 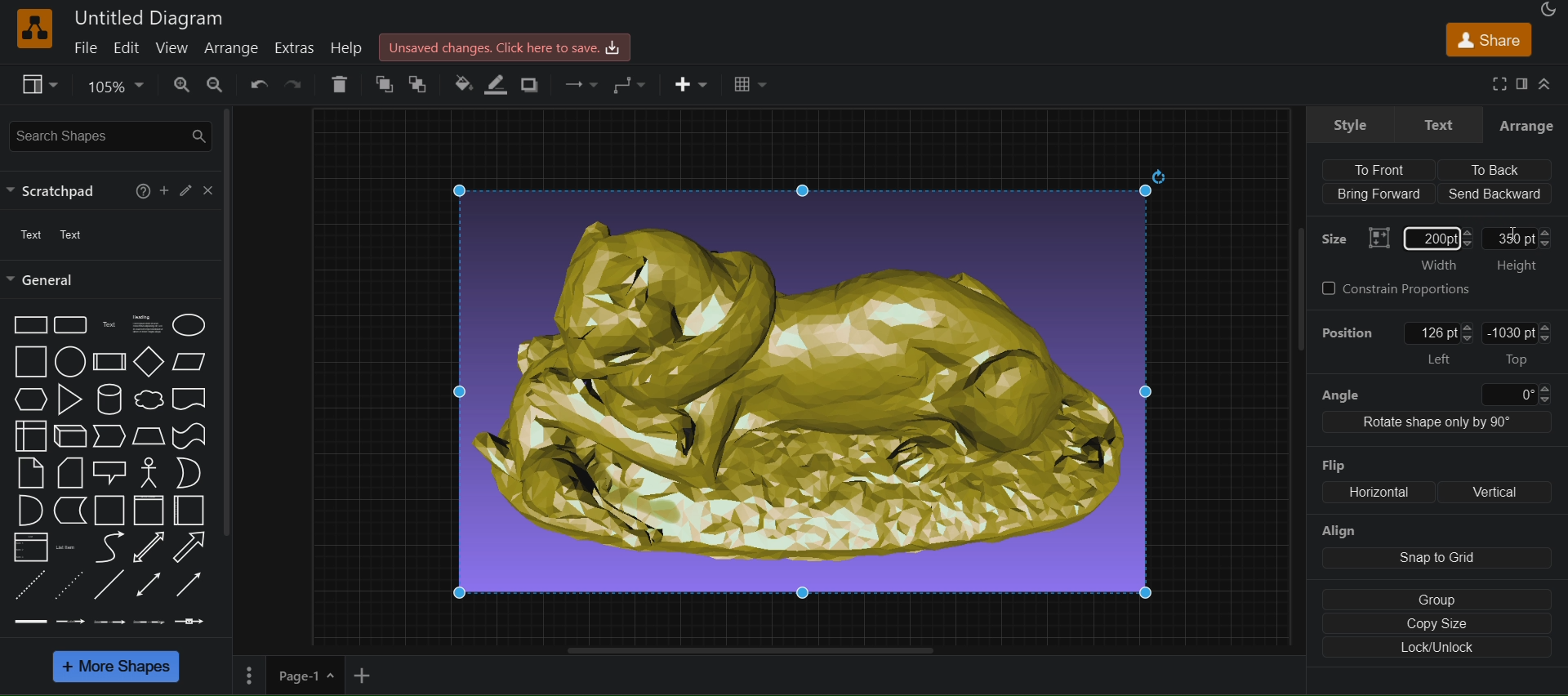 What do you see at coordinates (1348, 331) in the screenshot?
I see `Position` at bounding box center [1348, 331].